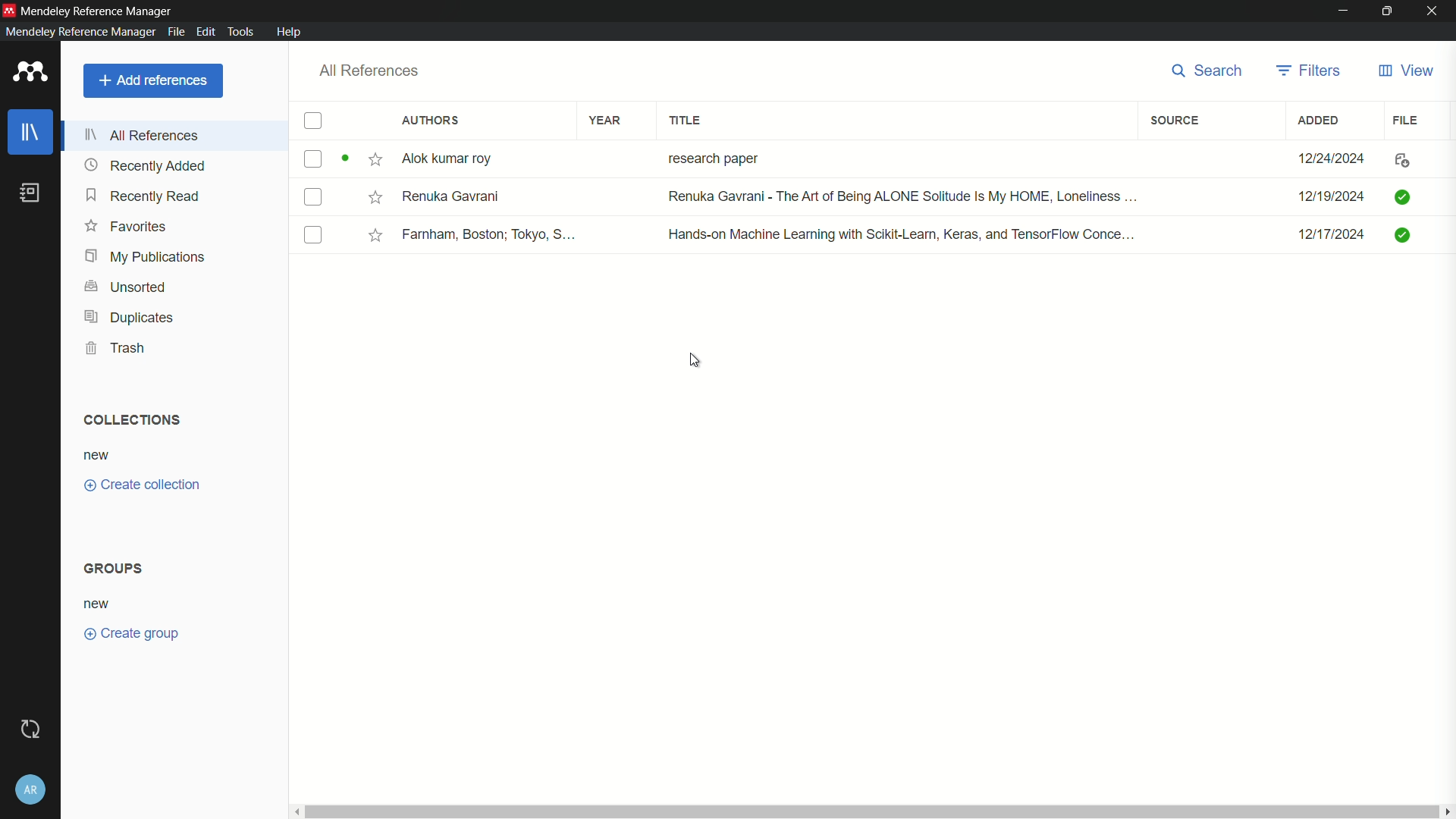  What do you see at coordinates (1316, 120) in the screenshot?
I see `added` at bounding box center [1316, 120].